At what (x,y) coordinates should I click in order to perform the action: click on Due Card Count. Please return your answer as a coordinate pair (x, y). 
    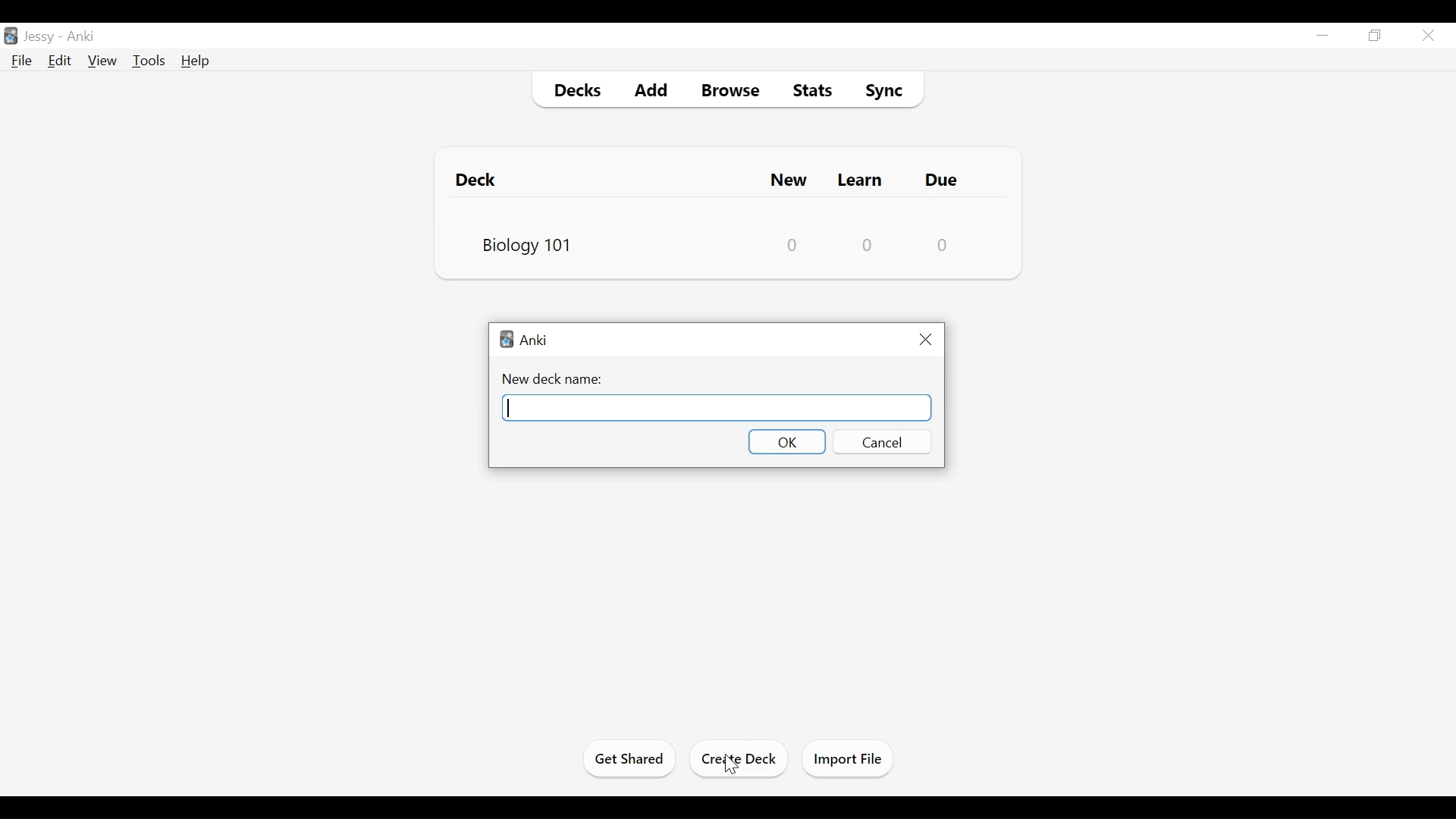
    Looking at the image, I should click on (943, 244).